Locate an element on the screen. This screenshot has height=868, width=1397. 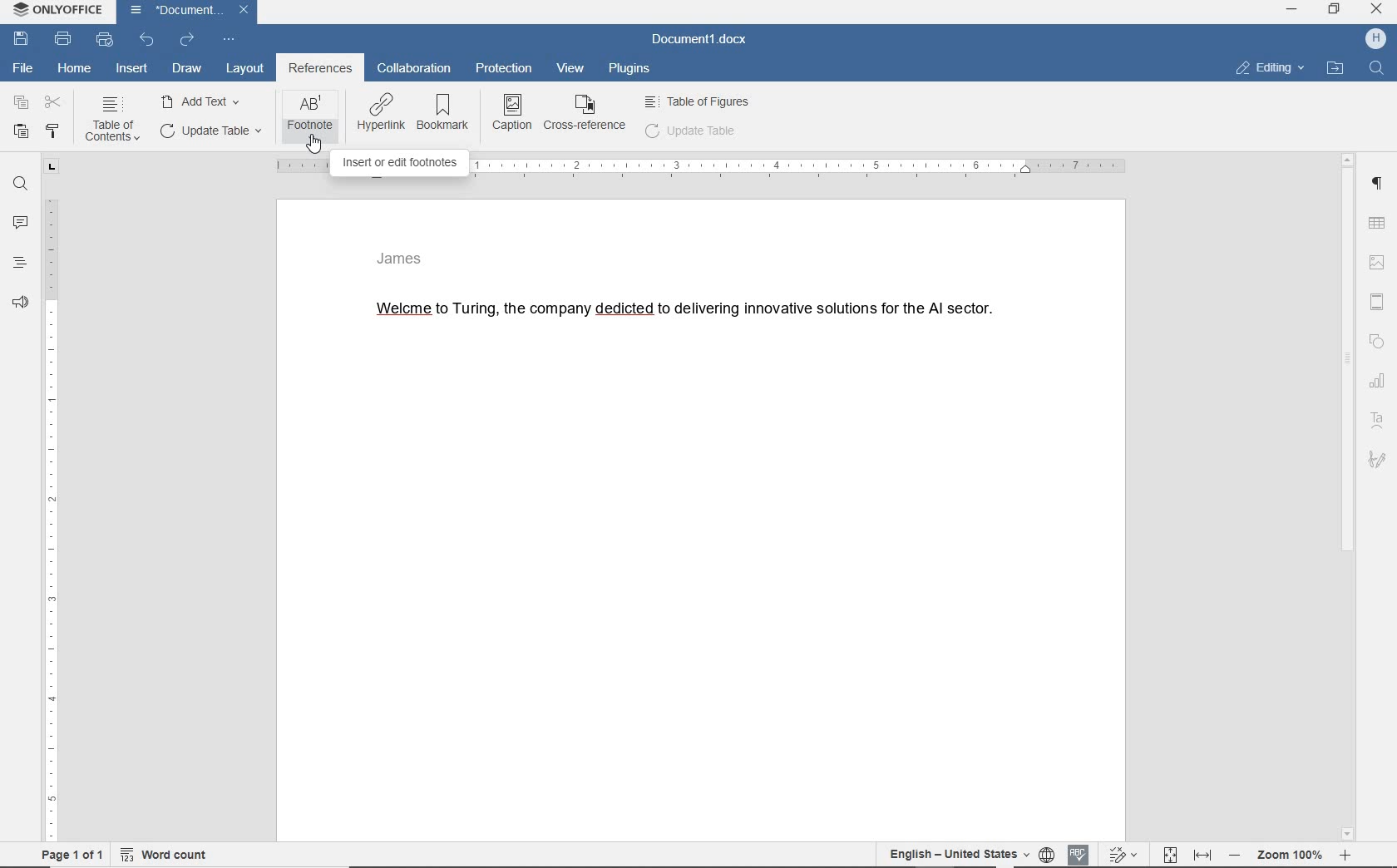
headings is located at coordinates (19, 262).